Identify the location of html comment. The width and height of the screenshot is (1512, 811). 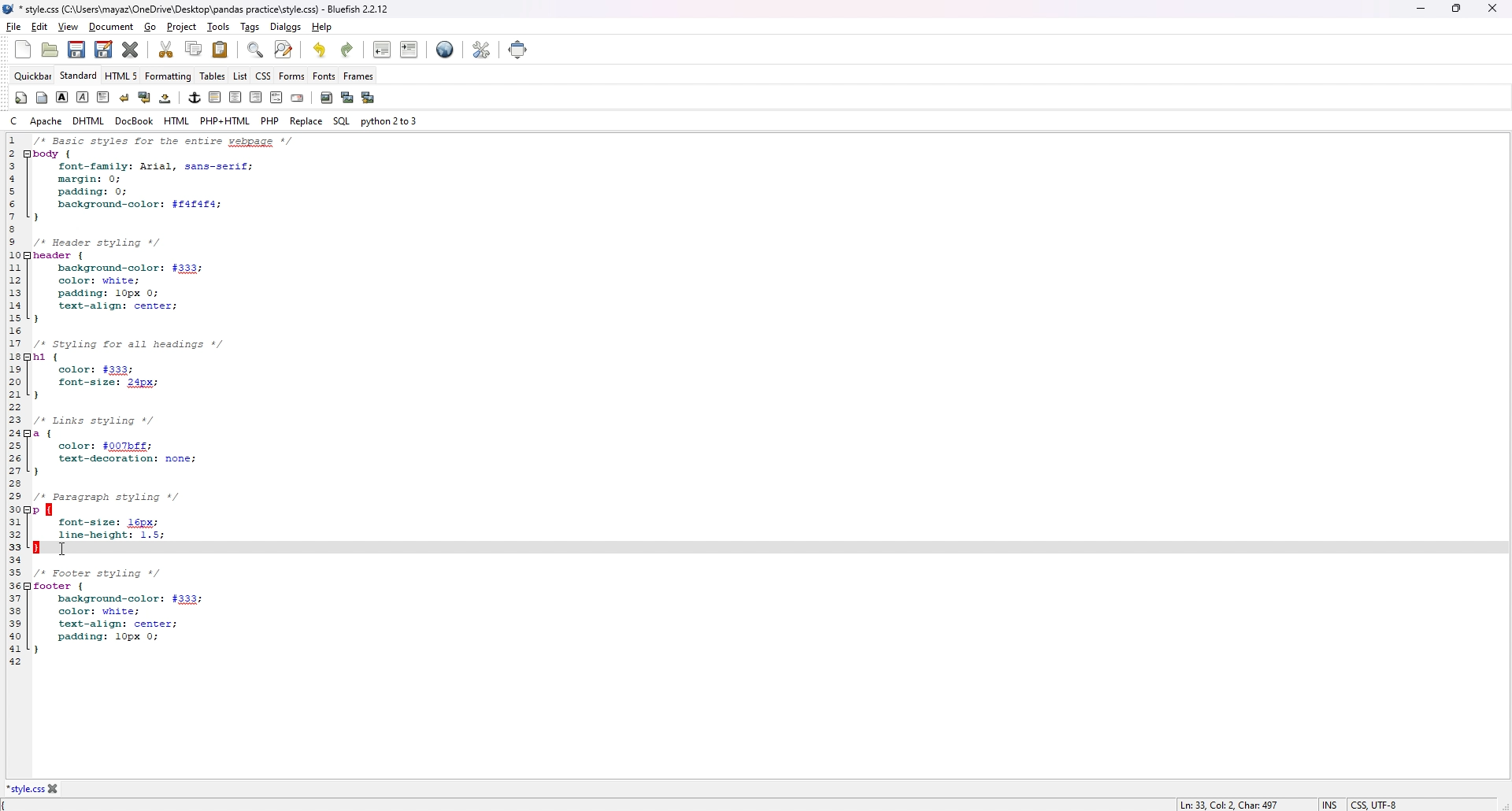
(277, 98).